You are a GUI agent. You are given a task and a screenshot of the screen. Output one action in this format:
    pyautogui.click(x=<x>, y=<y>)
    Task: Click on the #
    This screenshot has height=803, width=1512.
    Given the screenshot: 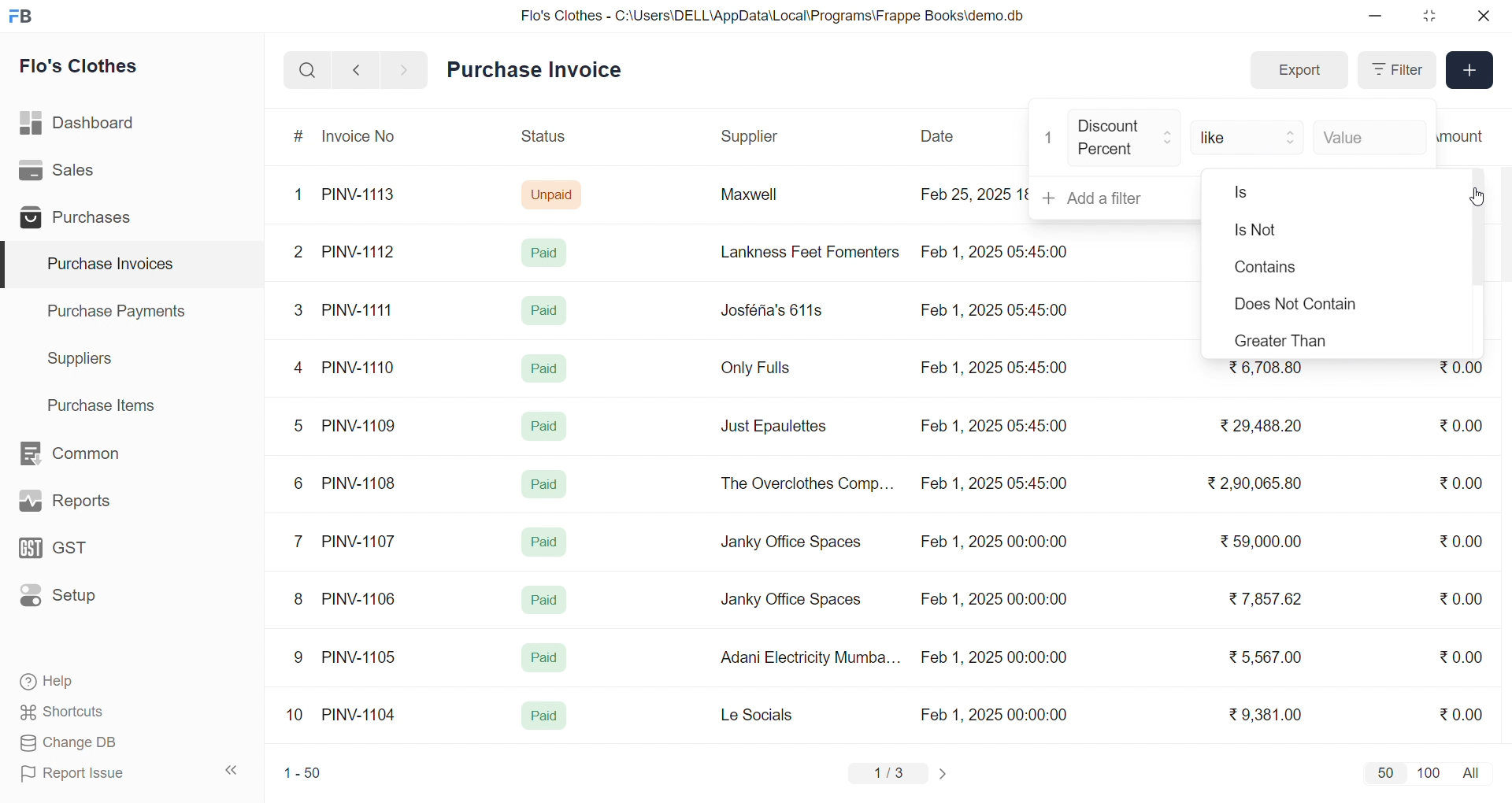 What is the action you would take?
    pyautogui.click(x=299, y=138)
    